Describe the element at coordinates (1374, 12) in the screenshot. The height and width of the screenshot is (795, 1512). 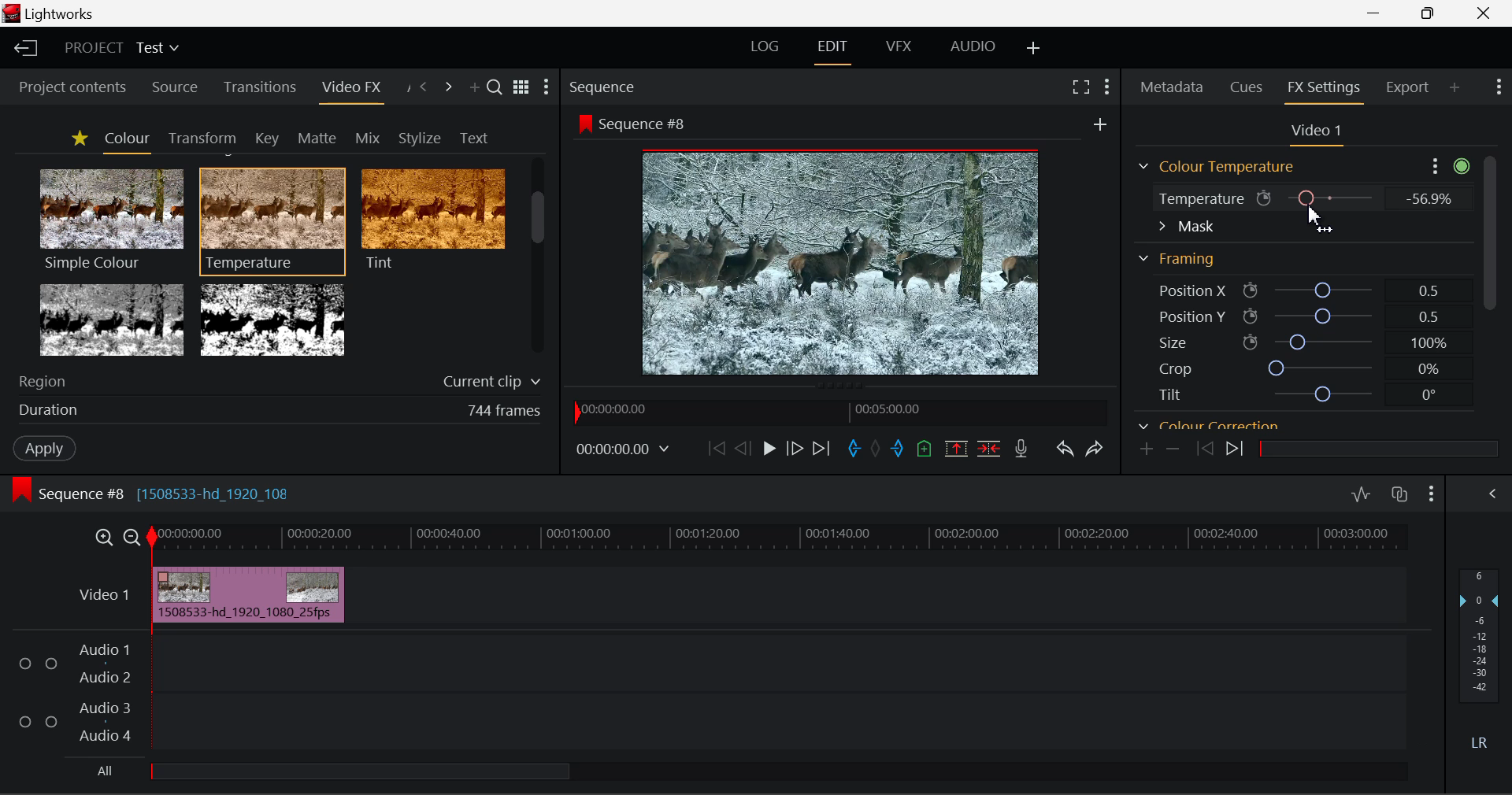
I see `Restore Down` at that location.